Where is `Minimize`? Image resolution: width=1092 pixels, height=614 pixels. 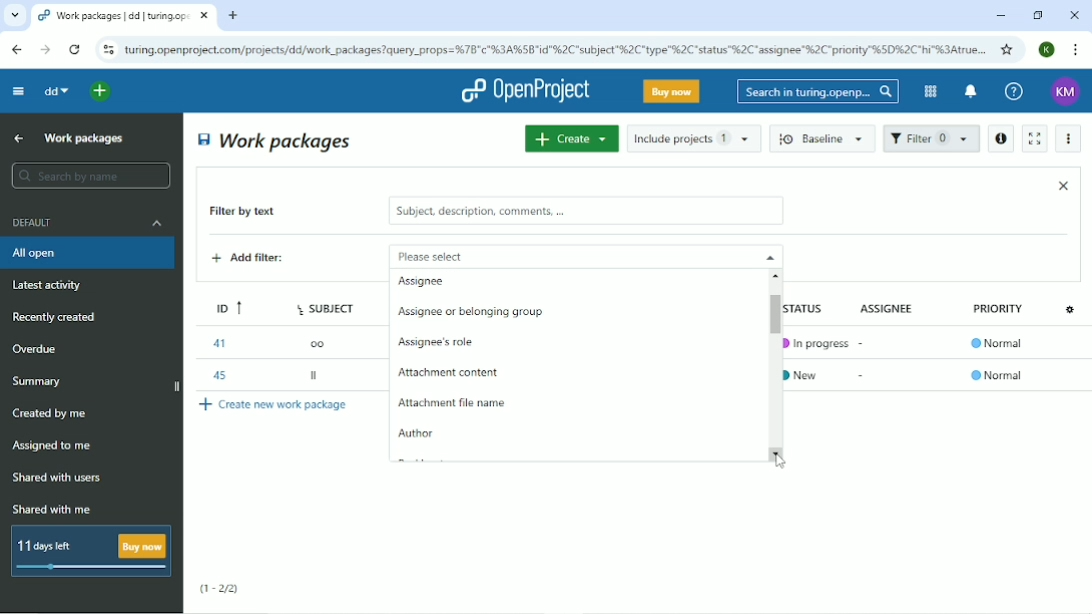
Minimize is located at coordinates (1000, 16).